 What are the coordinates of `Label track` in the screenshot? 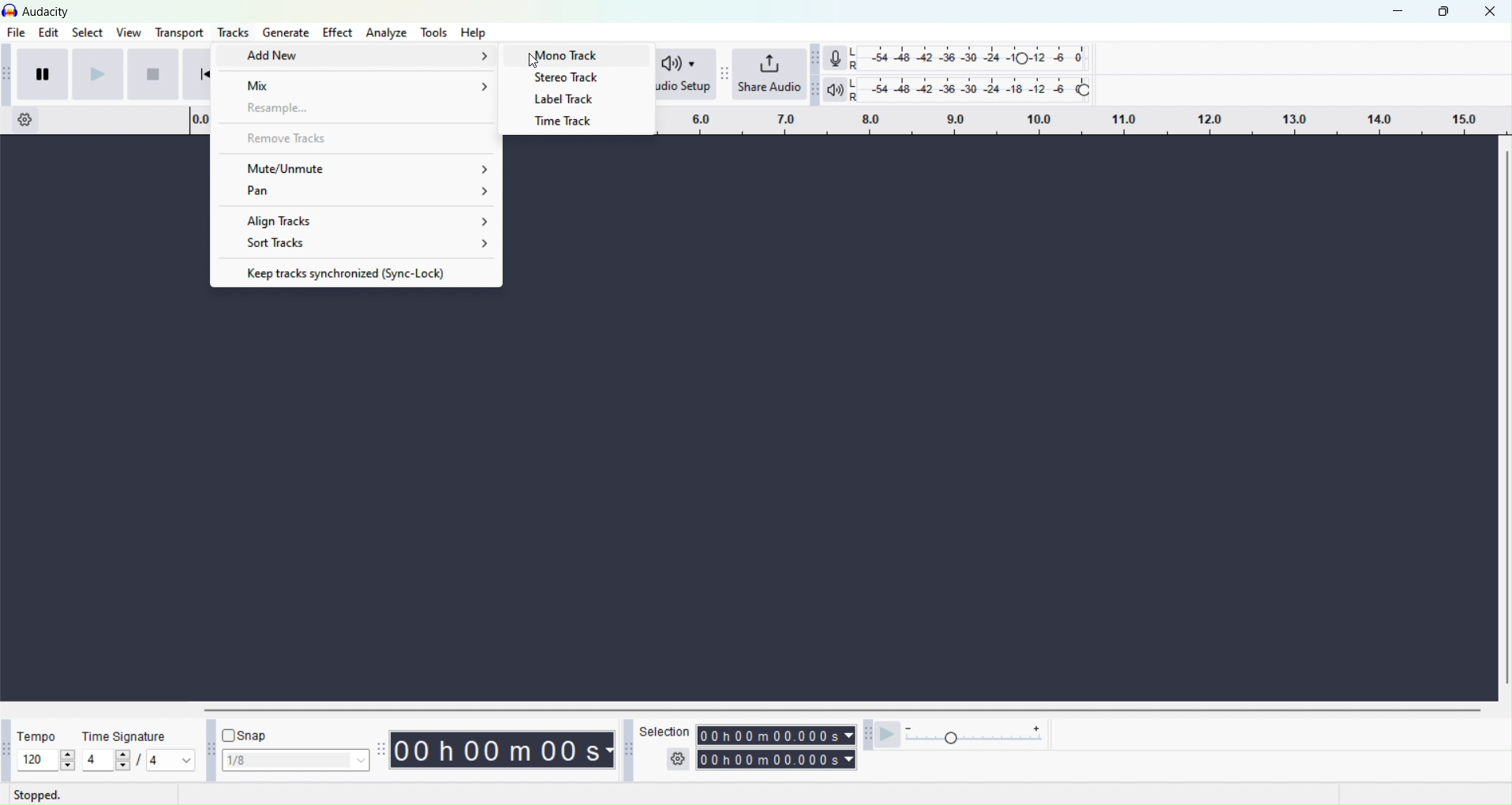 It's located at (572, 99).